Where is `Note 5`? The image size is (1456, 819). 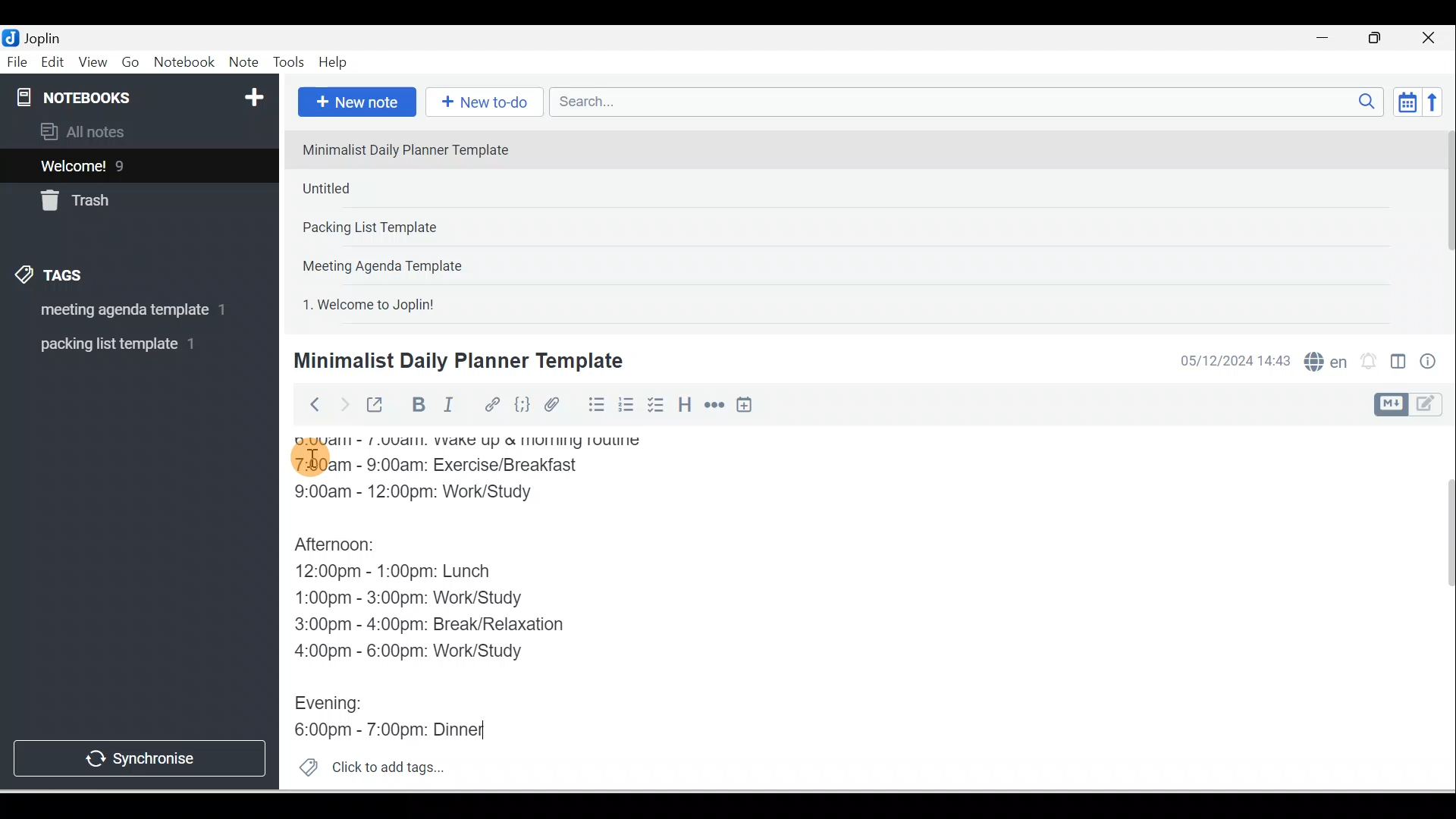 Note 5 is located at coordinates (424, 303).